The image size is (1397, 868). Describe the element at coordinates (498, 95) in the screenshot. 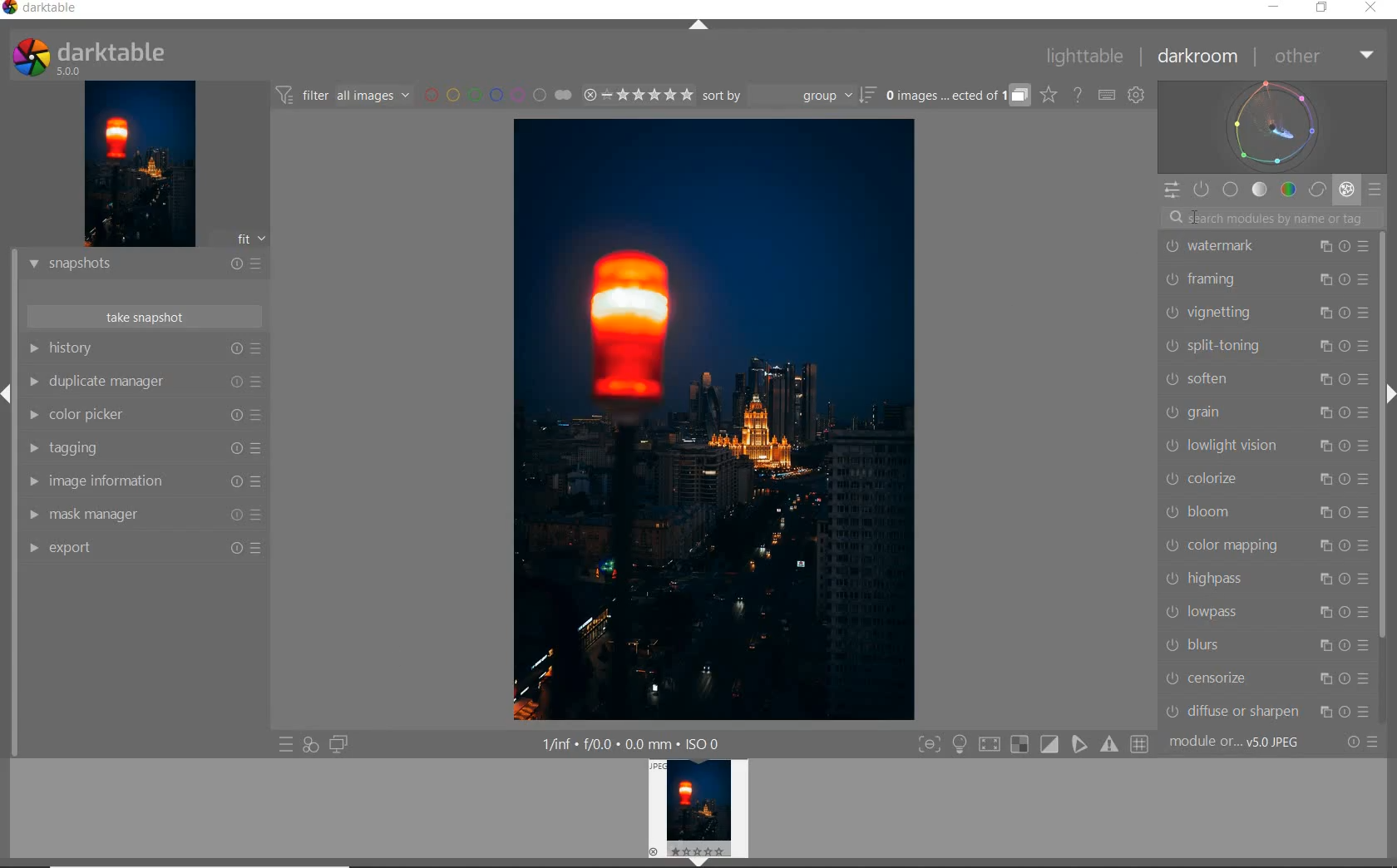

I see `FILTER BY IMAGE COLOR LABEL` at that location.